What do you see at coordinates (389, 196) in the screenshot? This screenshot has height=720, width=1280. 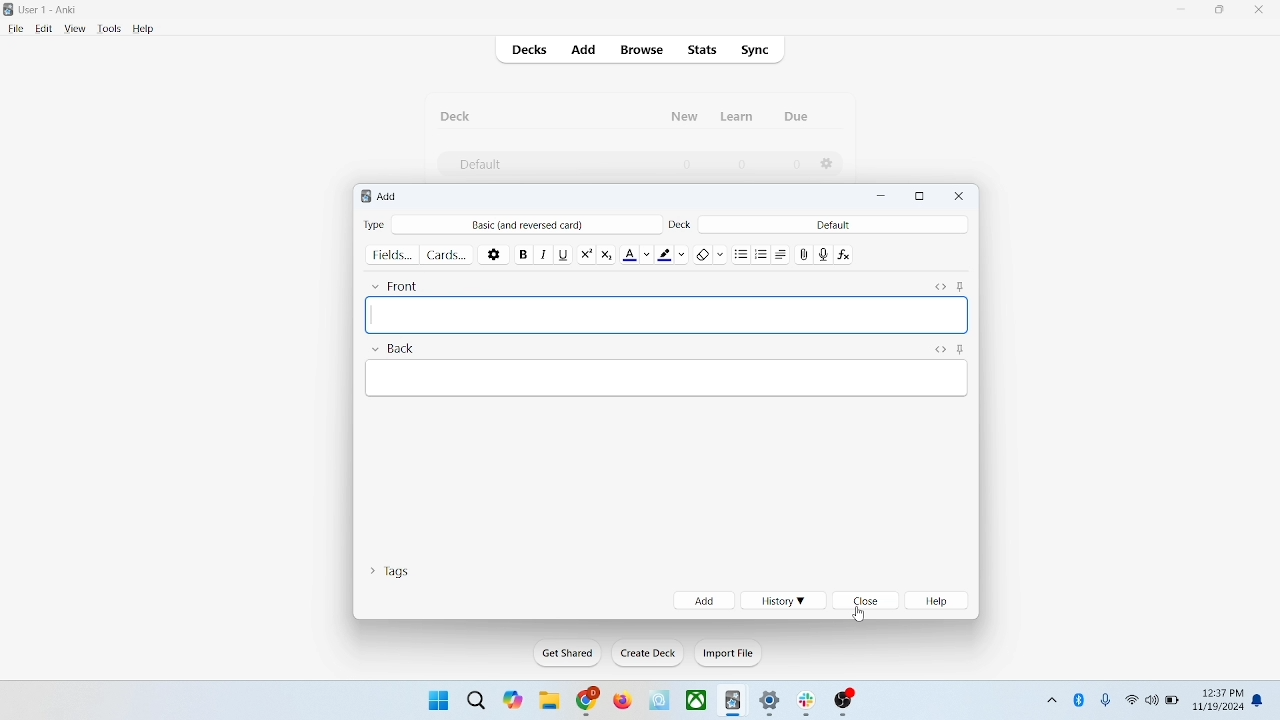 I see `add` at bounding box center [389, 196].